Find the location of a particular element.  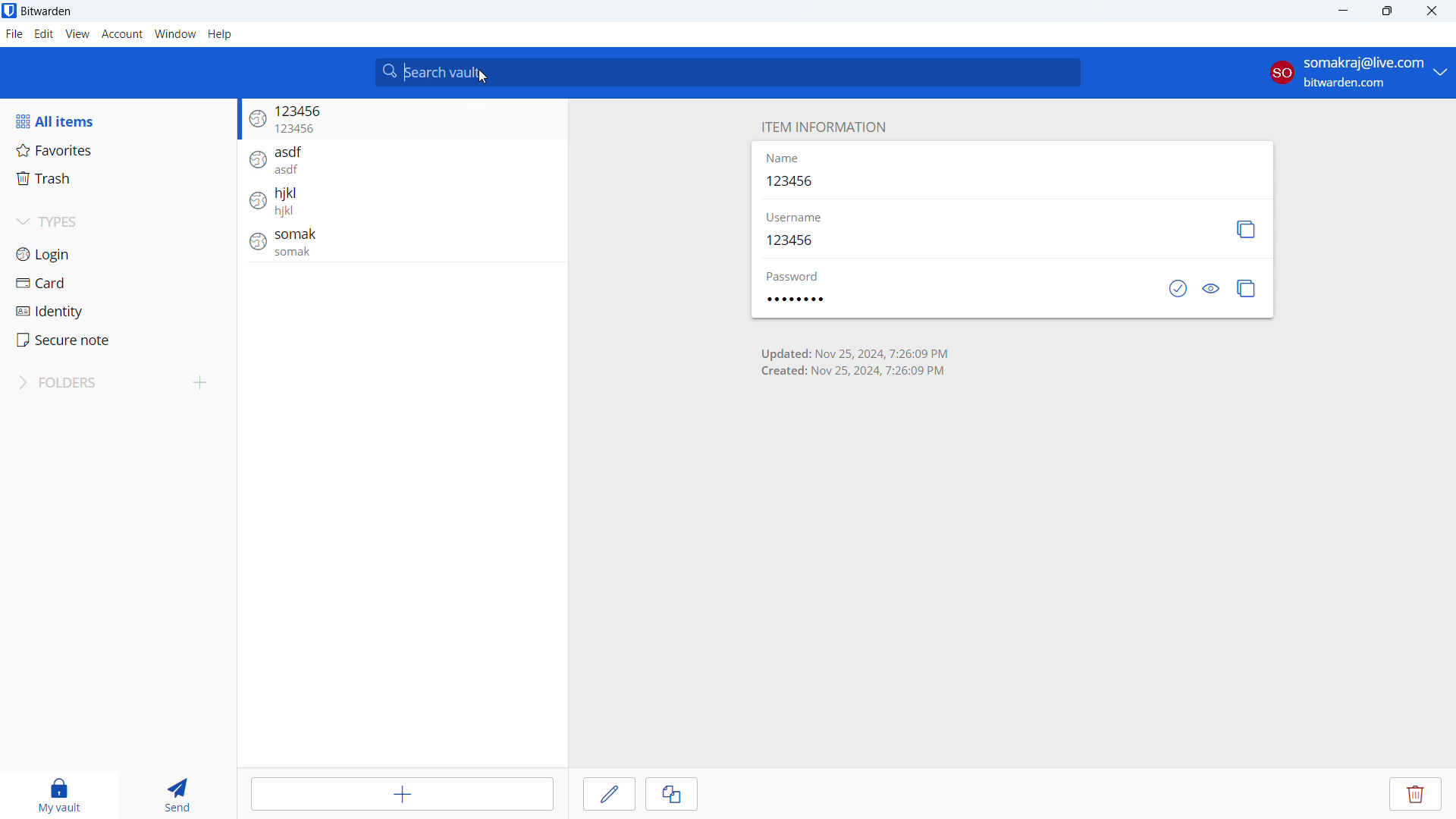

maximize is located at coordinates (1387, 11).